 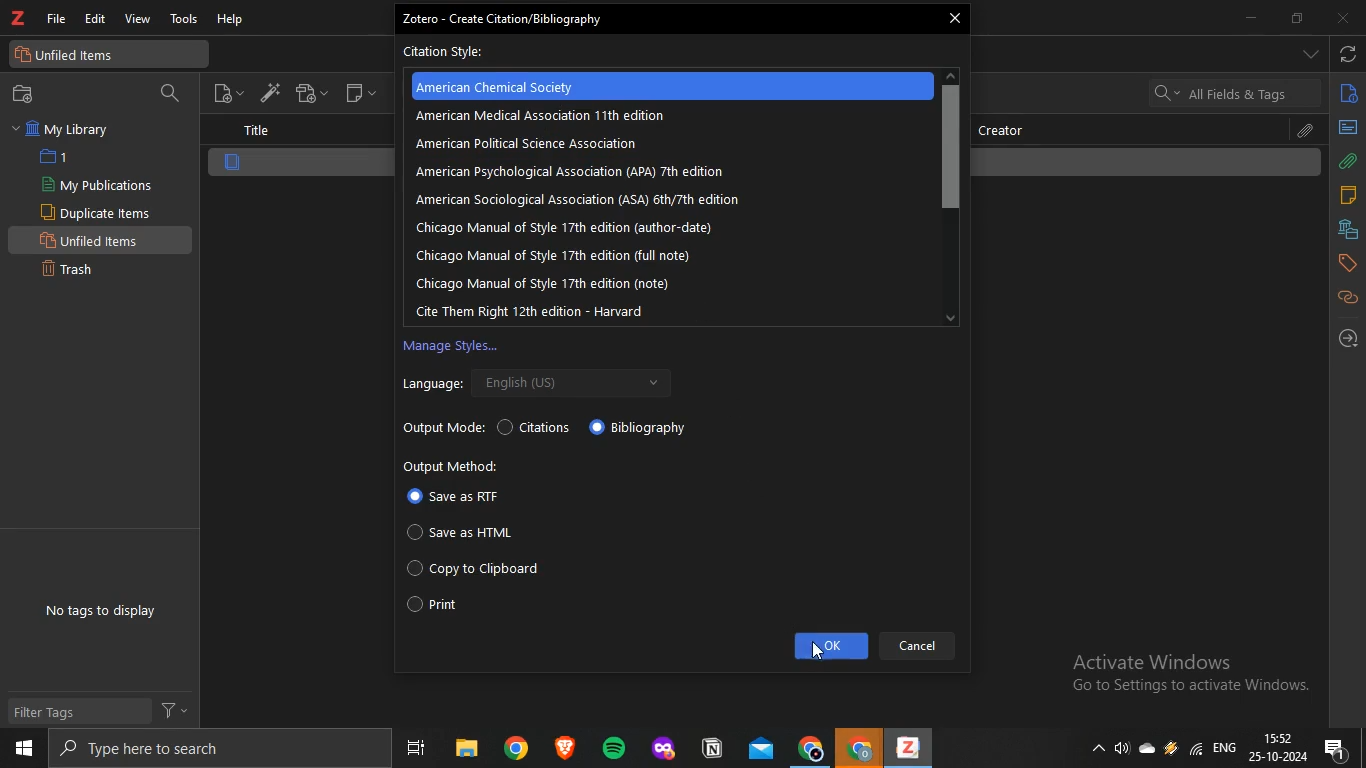 I want to click on filter collection, so click(x=172, y=94).